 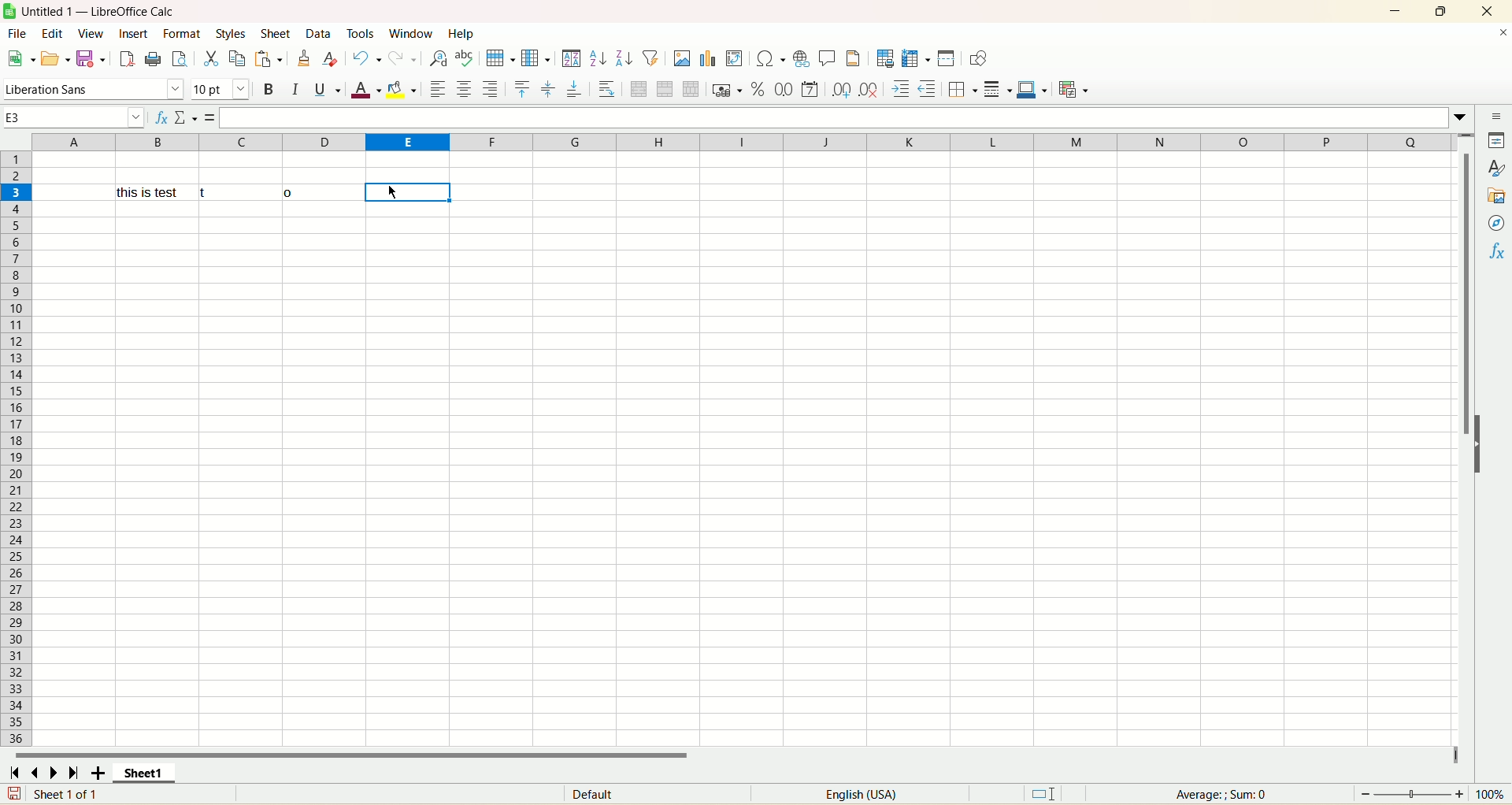 I want to click on bold, so click(x=272, y=90).